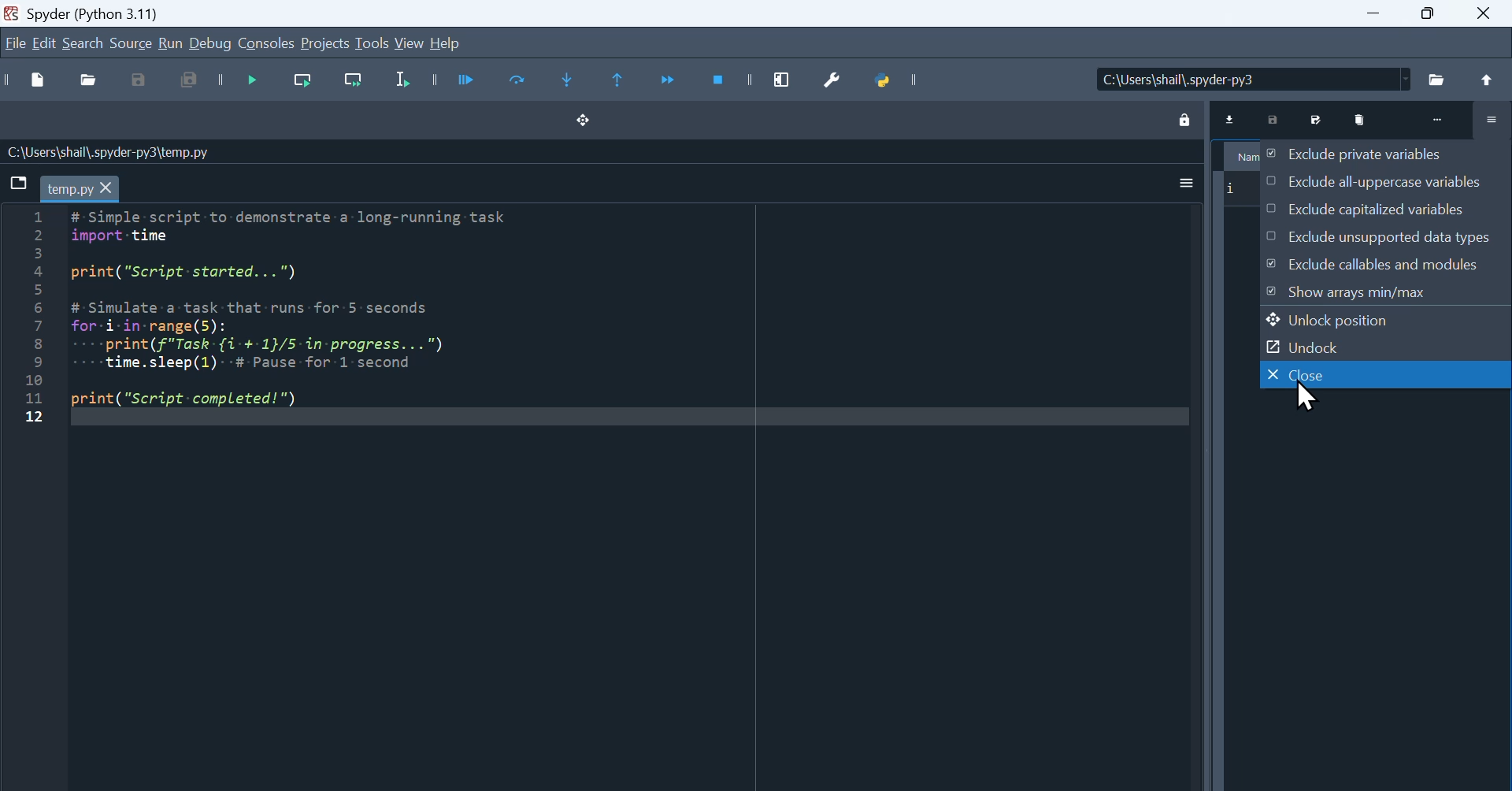 The height and width of the screenshot is (791, 1512). I want to click on Exclude all-uppercase variables, so click(1386, 180).